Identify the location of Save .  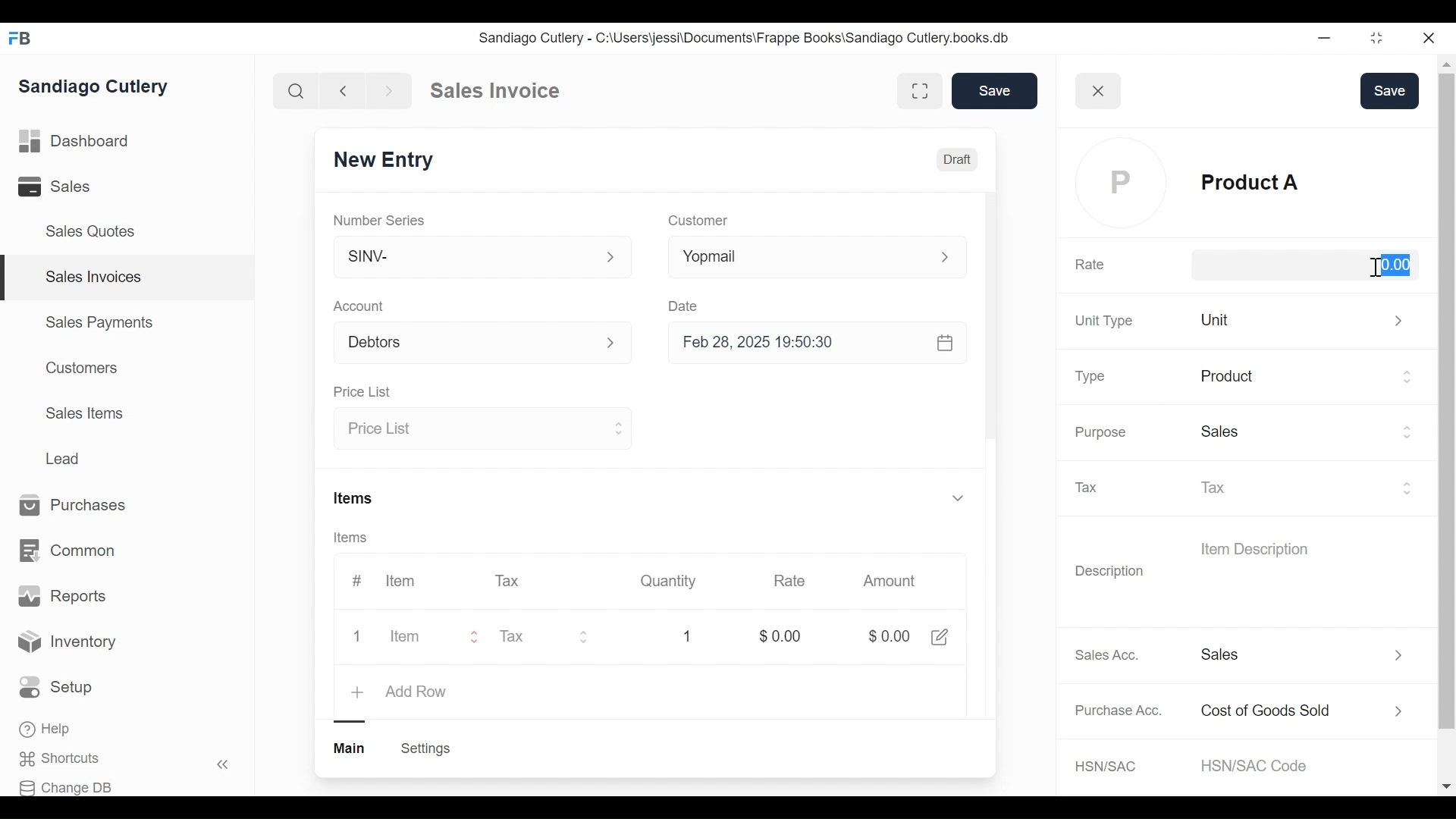
(992, 90).